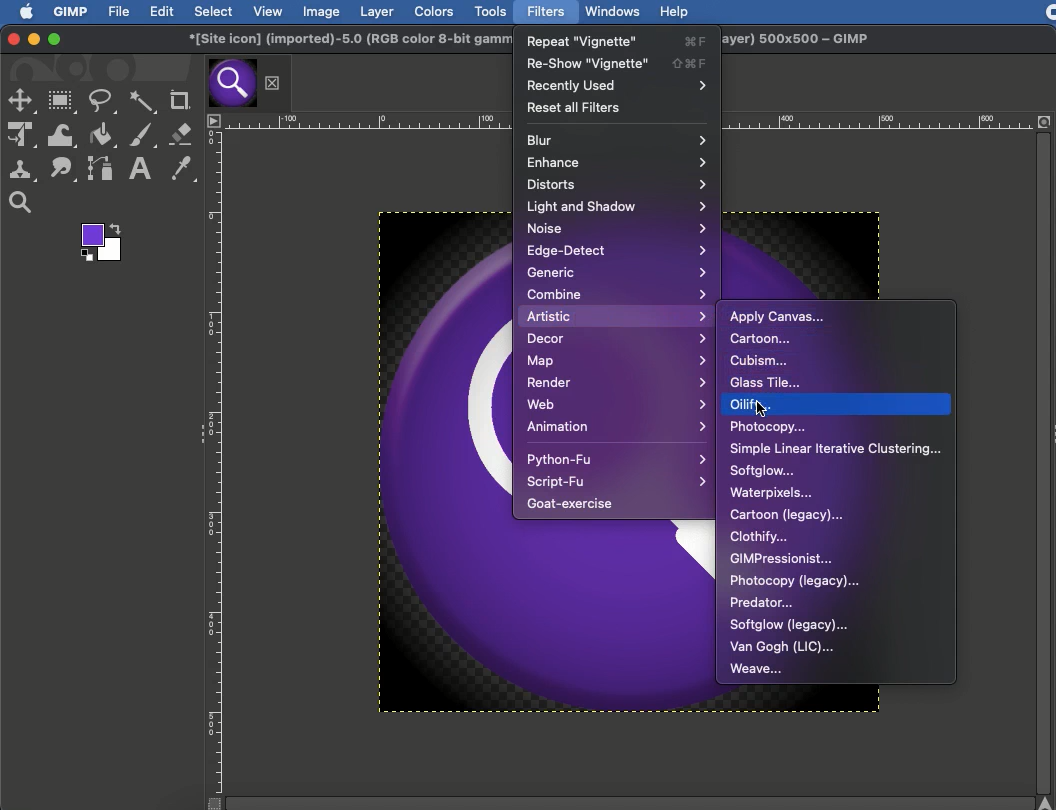 The image size is (1056, 810). What do you see at coordinates (617, 139) in the screenshot?
I see `Blur` at bounding box center [617, 139].